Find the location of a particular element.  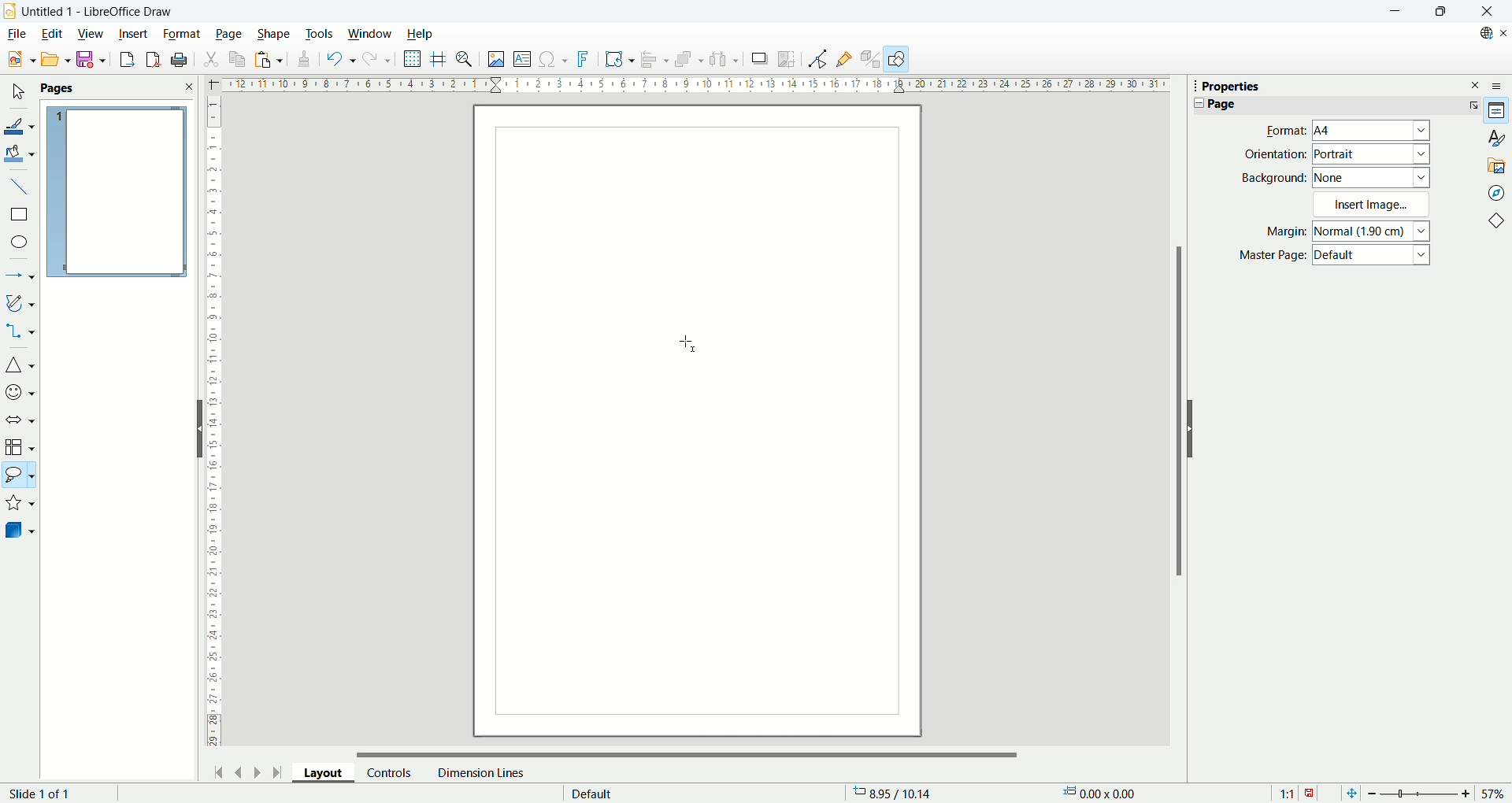

3D object is located at coordinates (21, 531).